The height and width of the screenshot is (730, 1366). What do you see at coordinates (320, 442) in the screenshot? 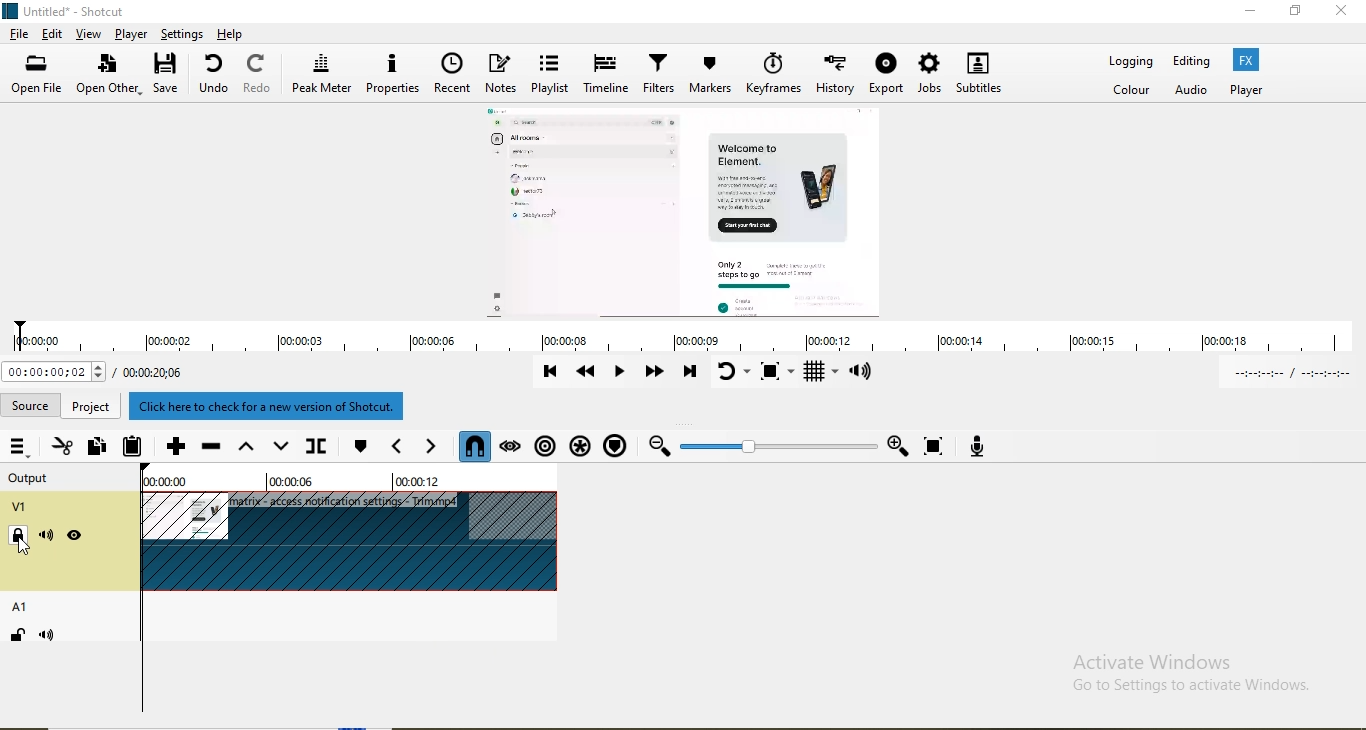
I see `Split at playhead` at bounding box center [320, 442].